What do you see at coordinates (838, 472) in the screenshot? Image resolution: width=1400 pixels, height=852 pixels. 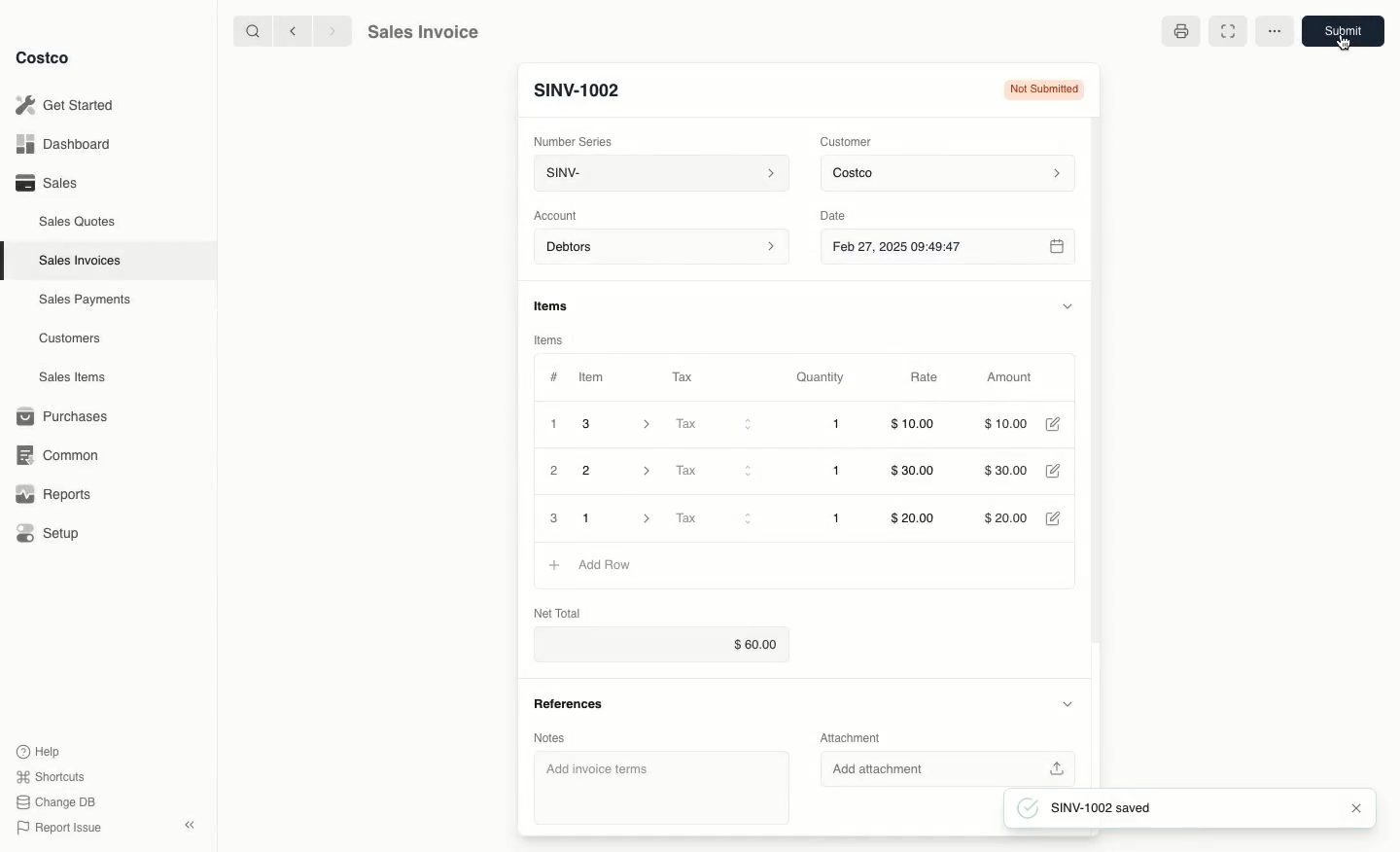 I see `1` at bounding box center [838, 472].